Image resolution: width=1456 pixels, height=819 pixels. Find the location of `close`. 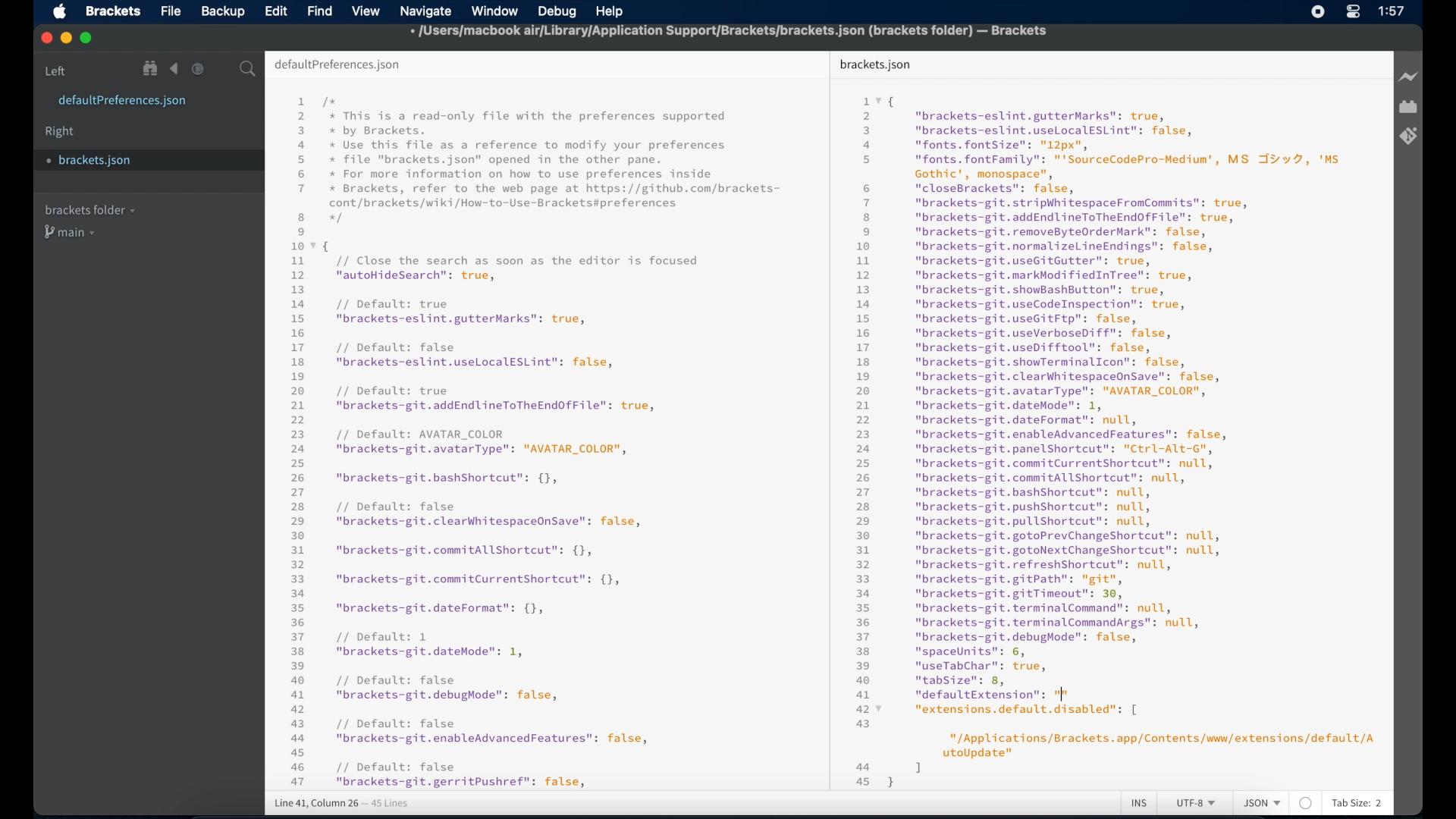

close is located at coordinates (45, 37).